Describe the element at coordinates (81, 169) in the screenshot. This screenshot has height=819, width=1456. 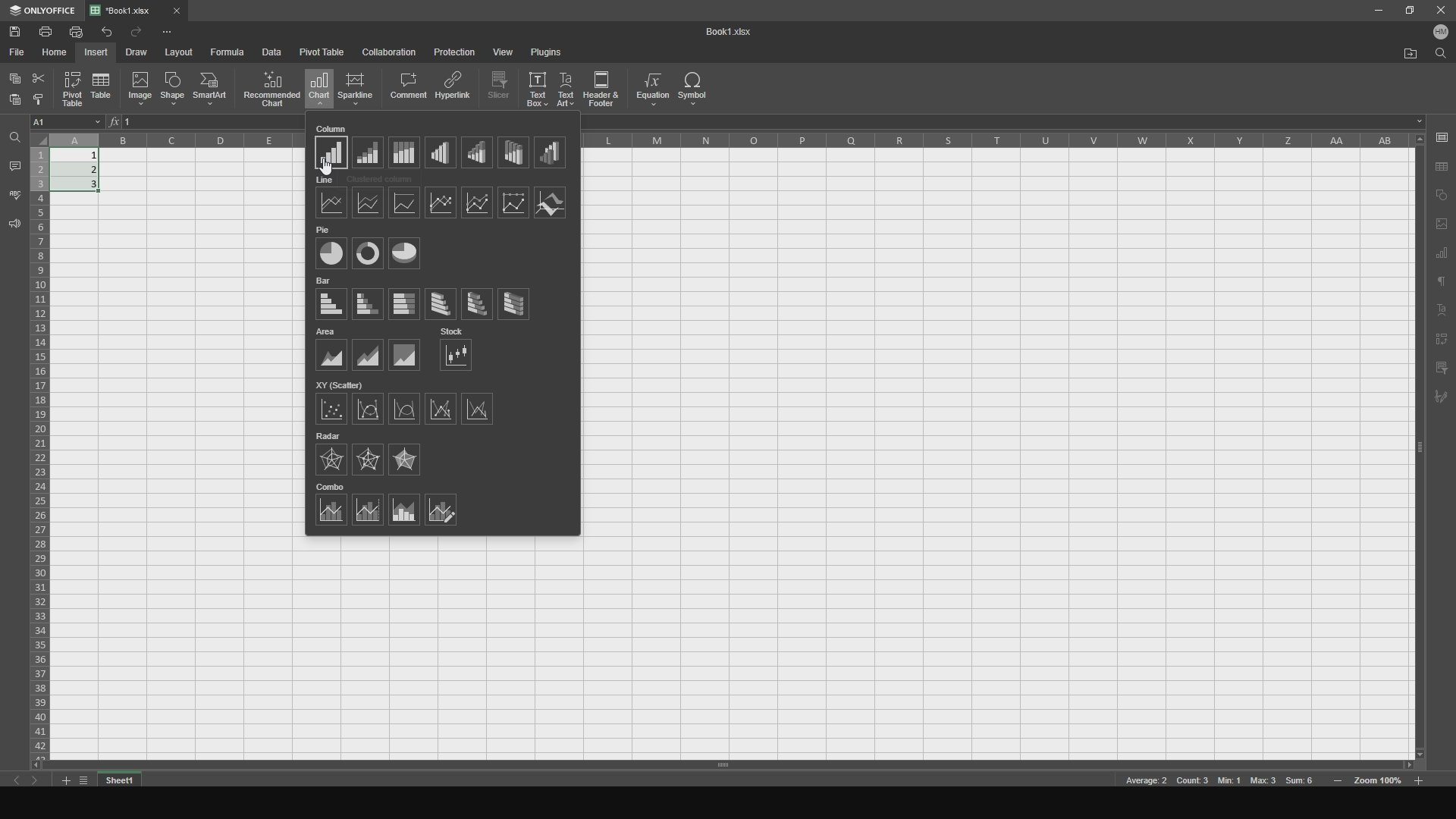
I see `completed cells` at that location.